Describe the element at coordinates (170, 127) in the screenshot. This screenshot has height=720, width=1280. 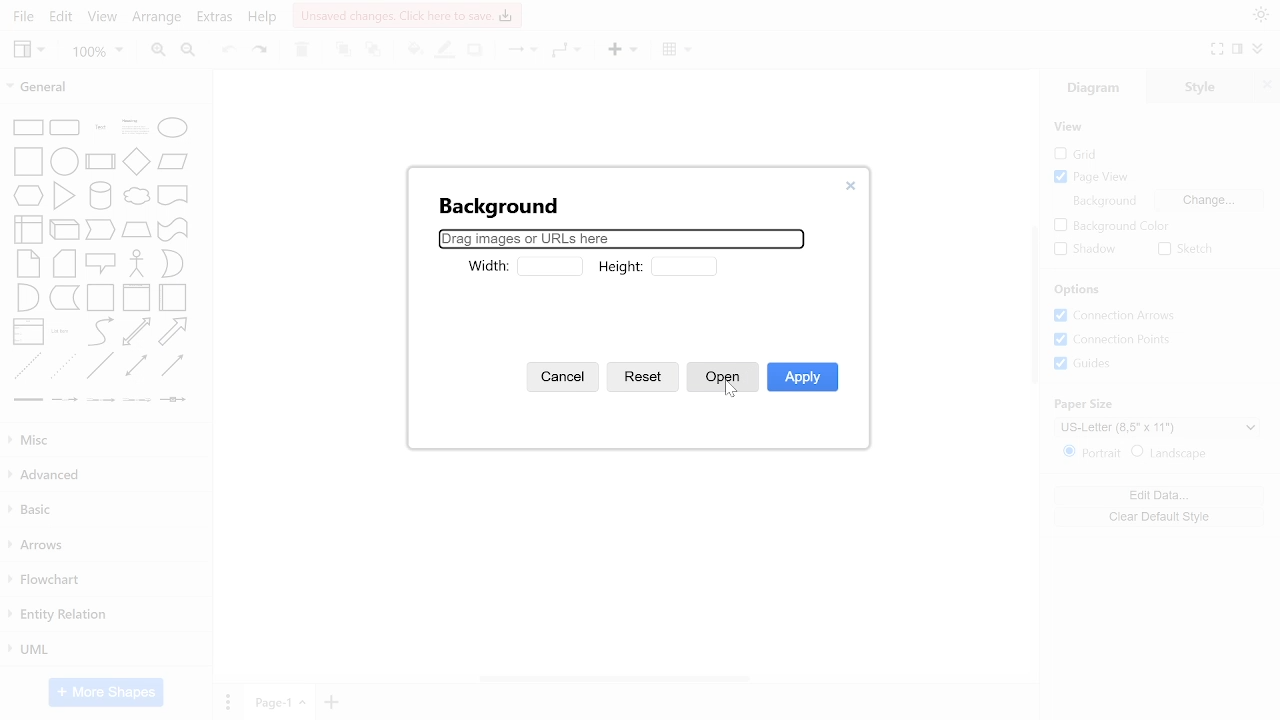
I see `general shapes` at that location.